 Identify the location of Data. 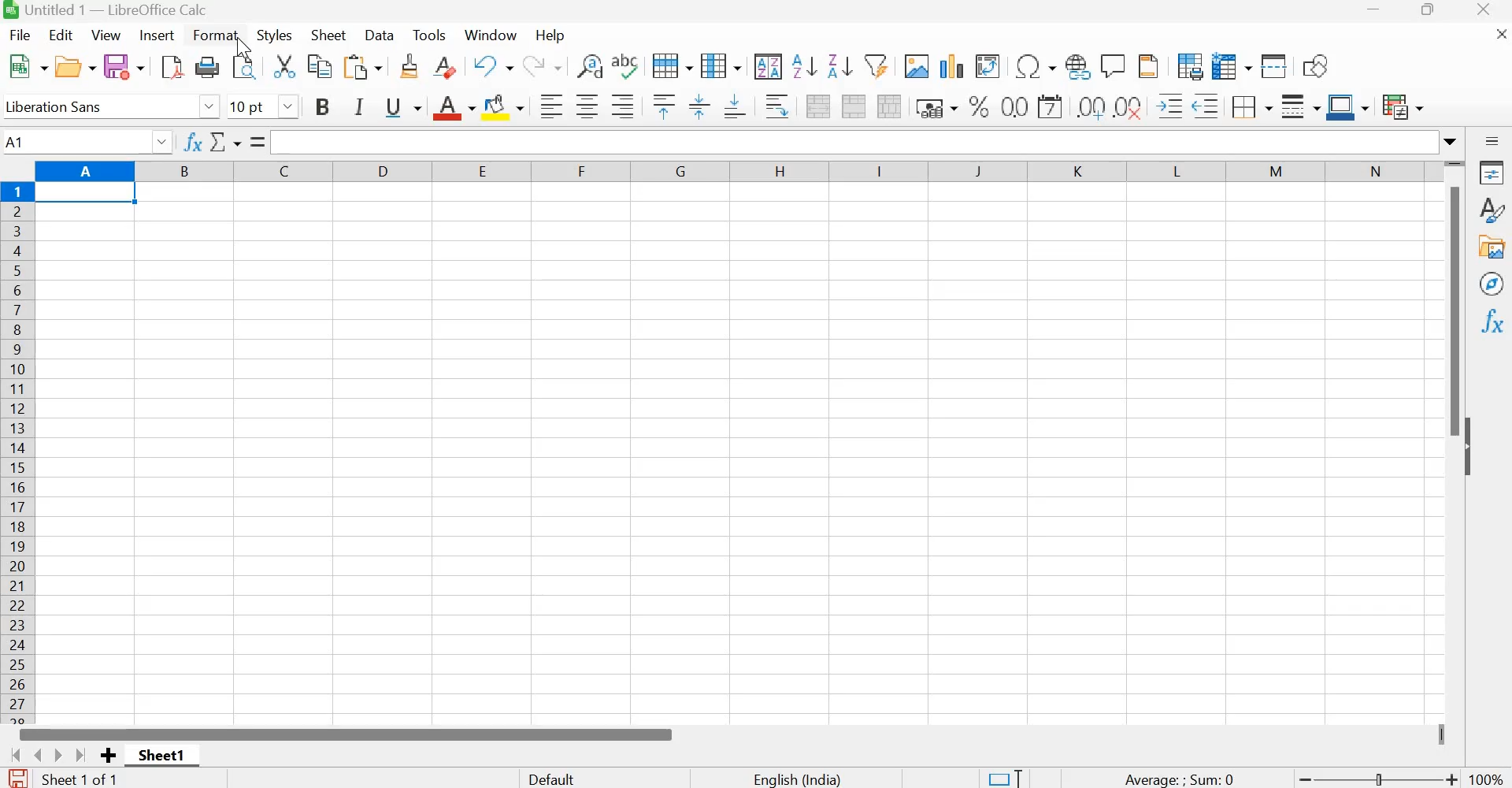
(380, 34).